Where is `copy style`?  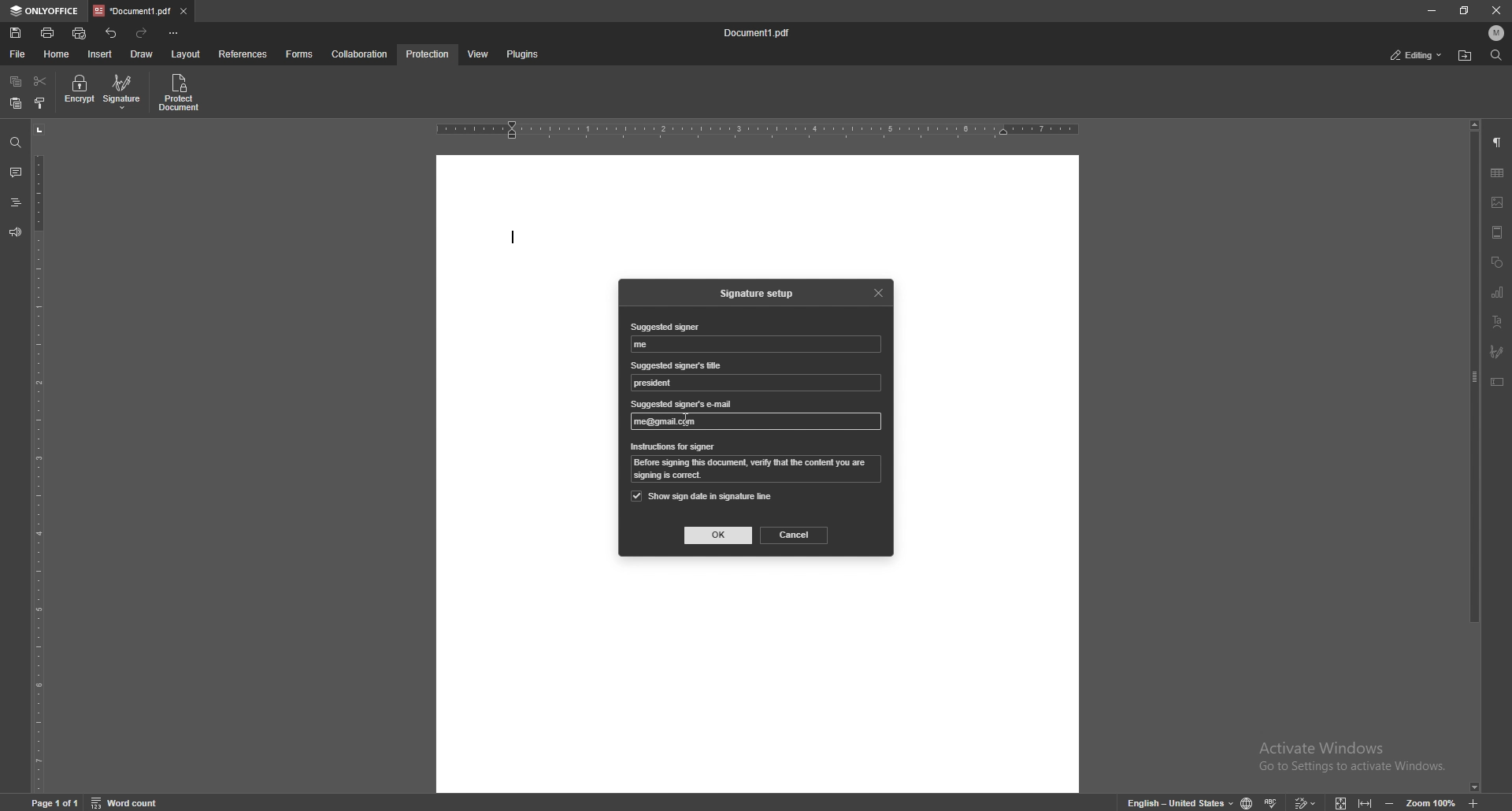
copy style is located at coordinates (41, 103).